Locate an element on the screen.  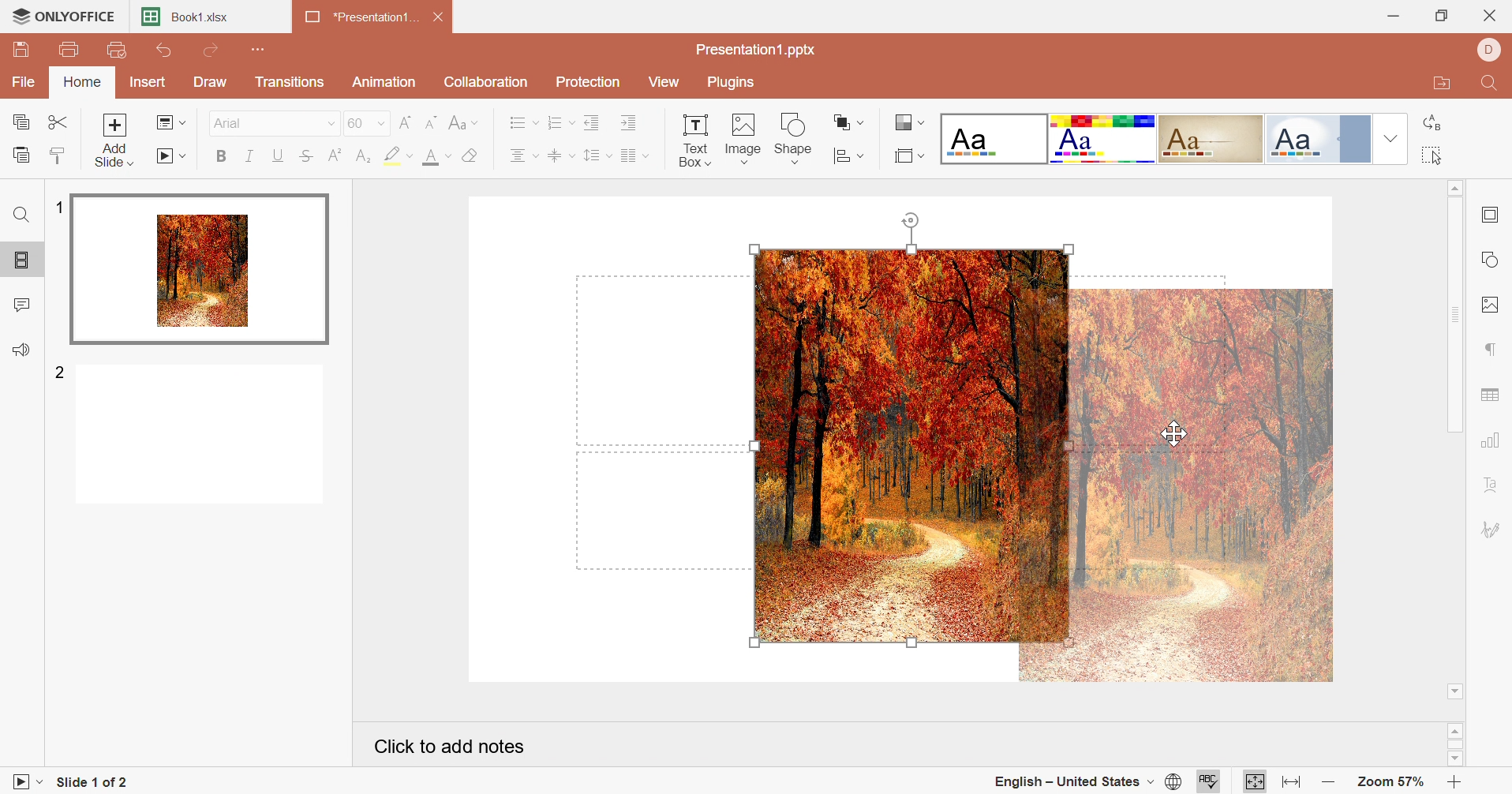
Clear is located at coordinates (472, 158).